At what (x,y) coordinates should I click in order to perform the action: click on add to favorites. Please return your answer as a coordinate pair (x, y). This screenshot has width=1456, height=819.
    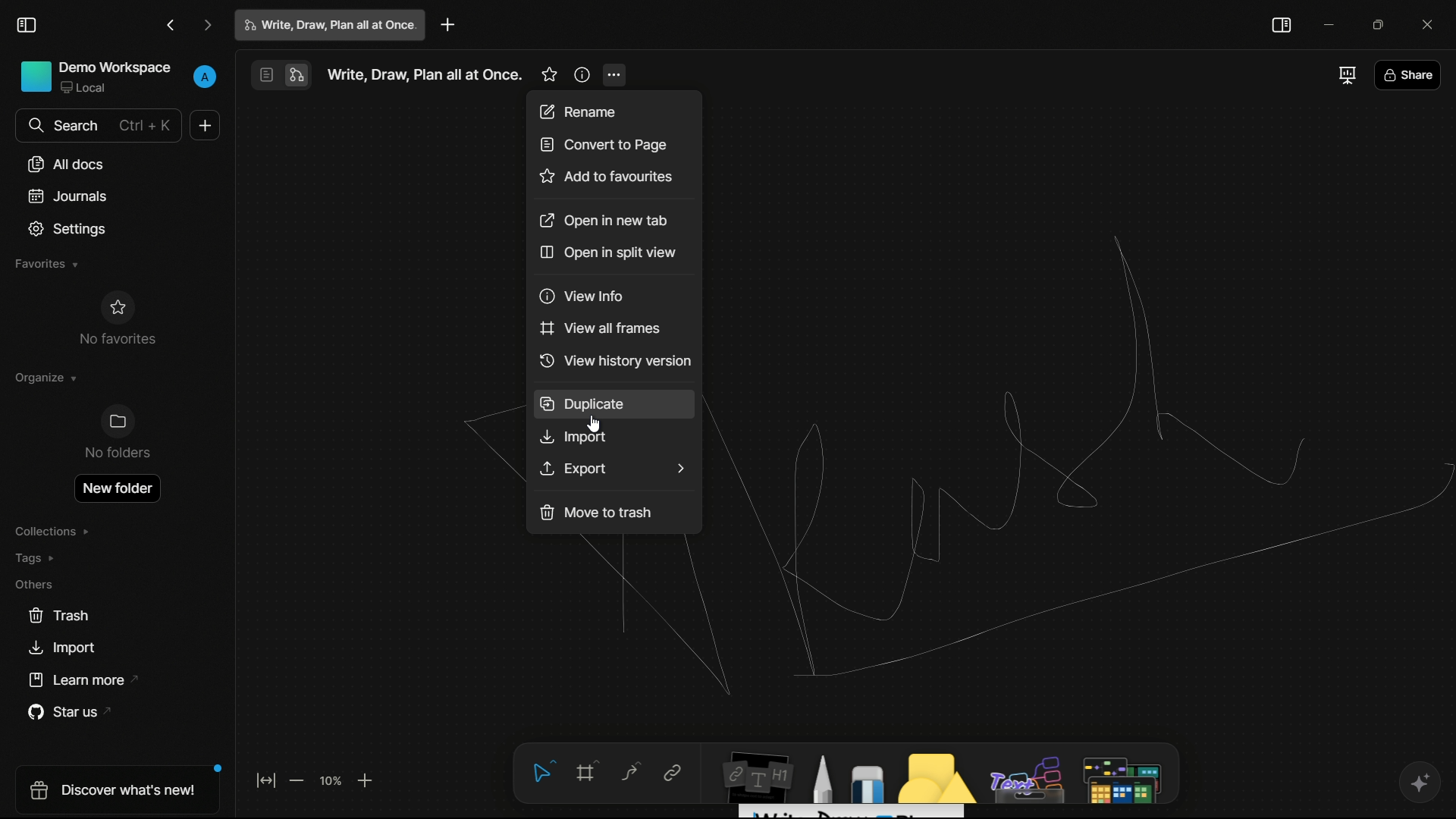
    Looking at the image, I should click on (607, 177).